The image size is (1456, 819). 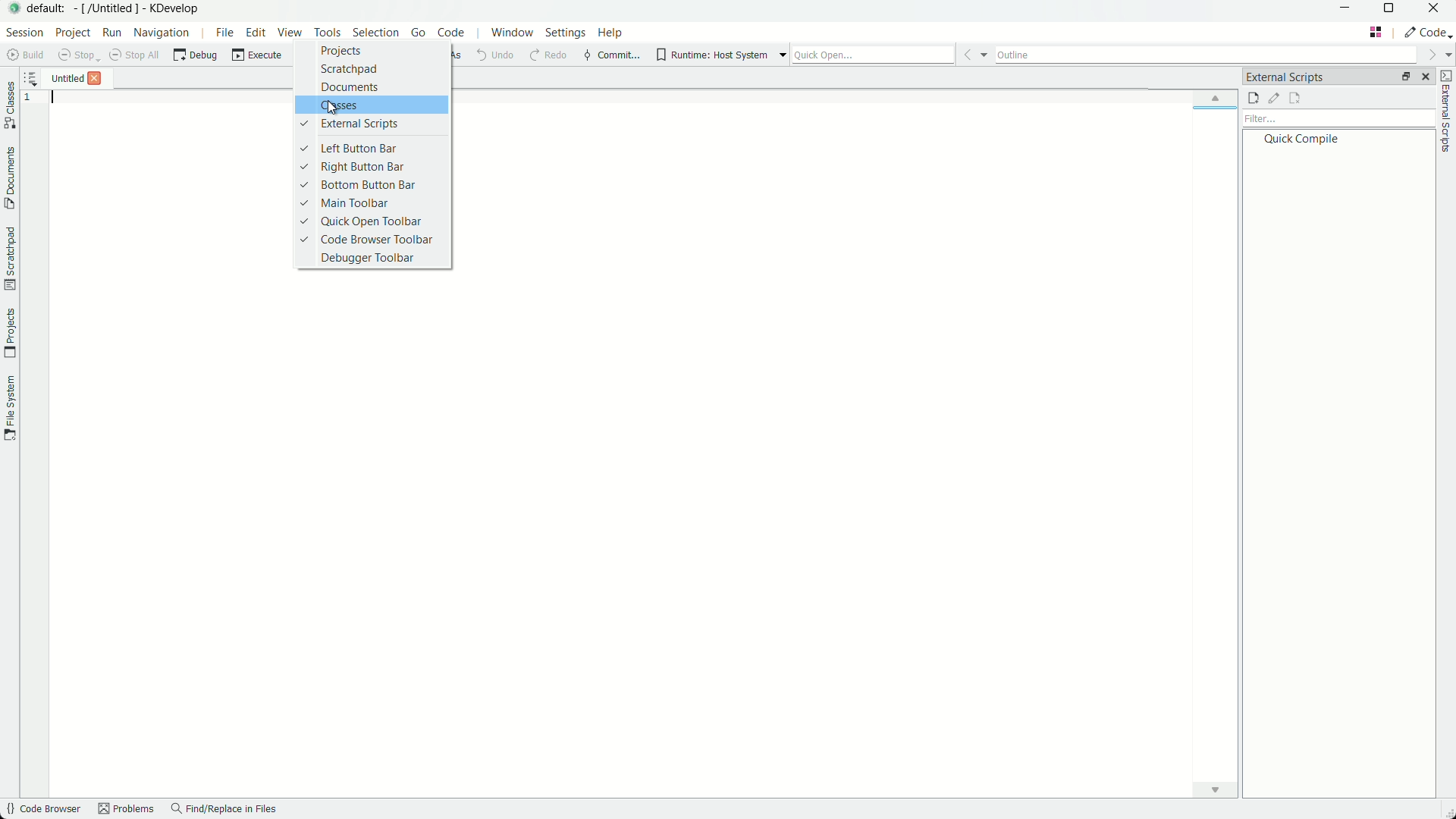 I want to click on tools, so click(x=329, y=33).